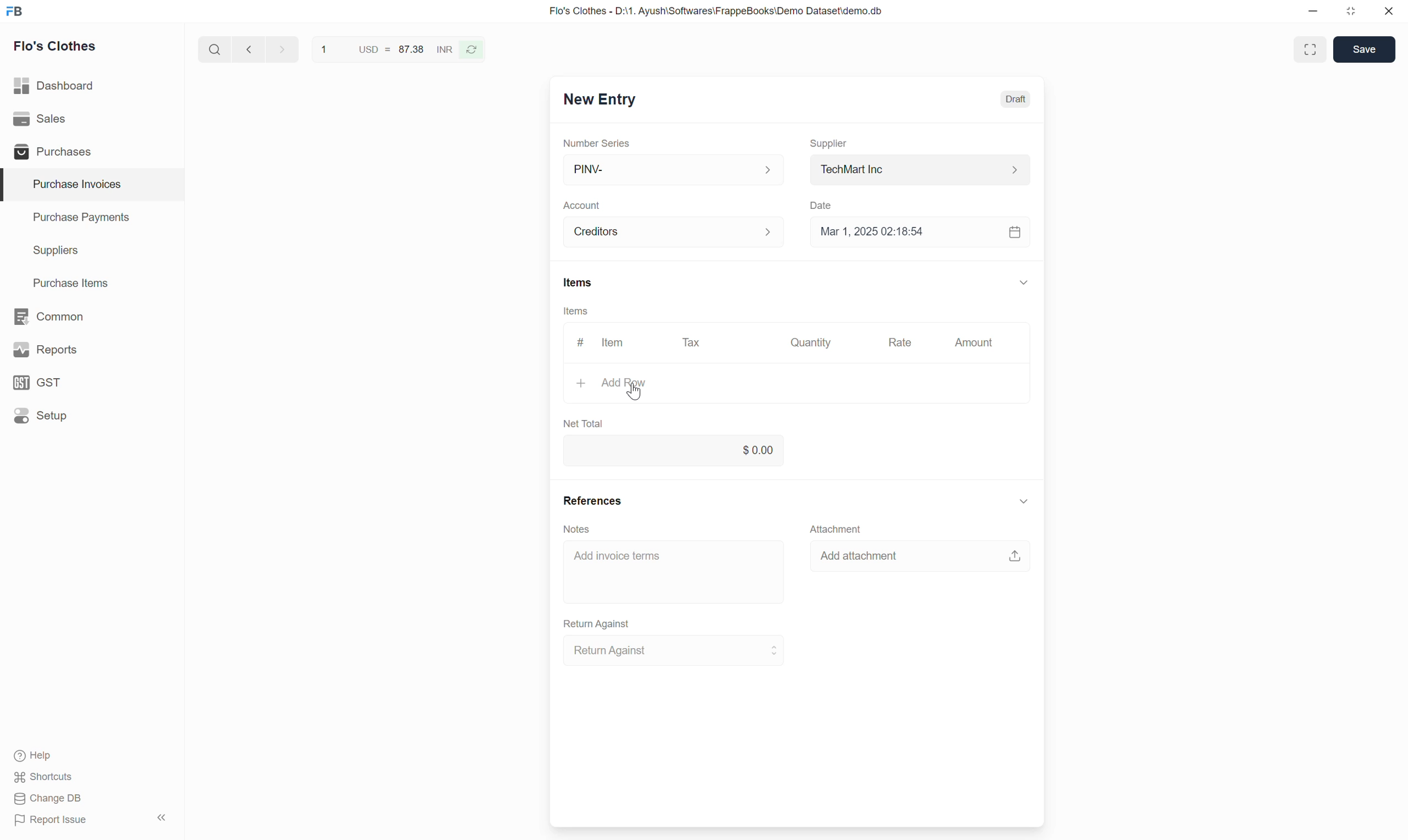  Describe the element at coordinates (716, 10) in the screenshot. I see `Flo's Clothes - D:\1. Ayush\Softwares\FrappeBooks\Demo Dataset\demo.db` at that location.